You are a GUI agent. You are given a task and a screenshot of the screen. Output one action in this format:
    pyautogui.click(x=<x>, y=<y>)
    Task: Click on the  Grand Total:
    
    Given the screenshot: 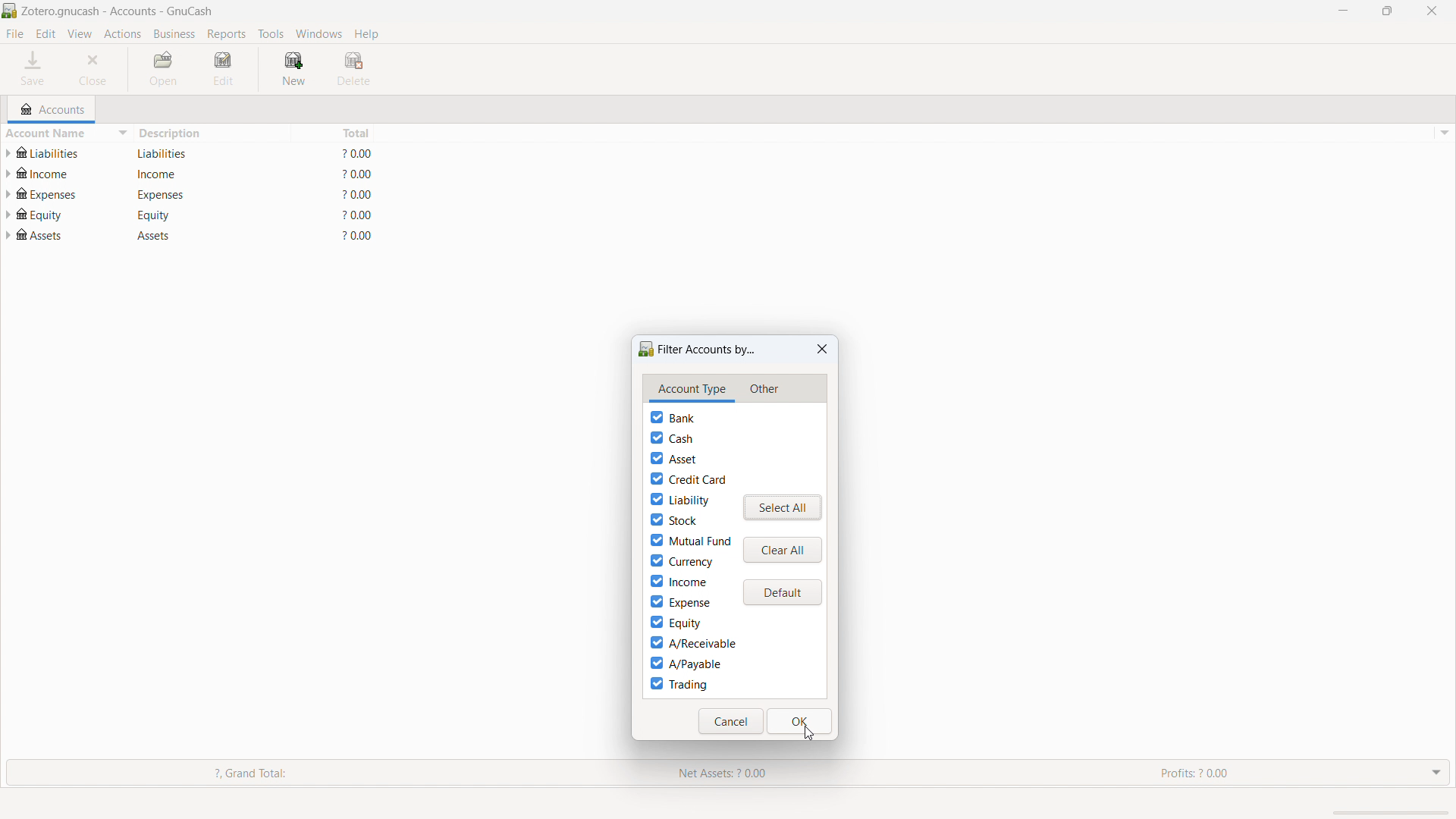 What is the action you would take?
    pyautogui.click(x=275, y=773)
    